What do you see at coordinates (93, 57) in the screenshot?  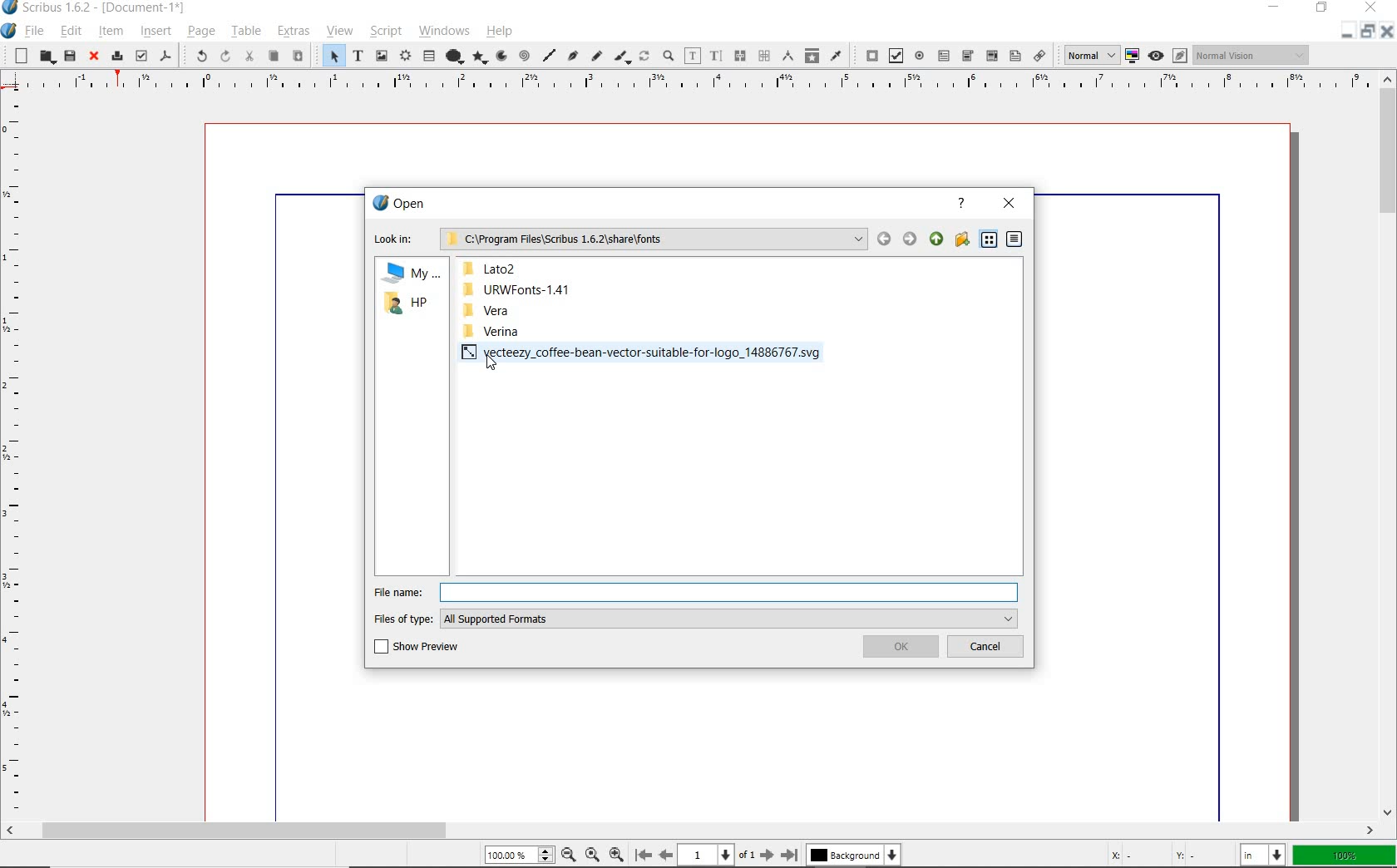 I see `close` at bounding box center [93, 57].